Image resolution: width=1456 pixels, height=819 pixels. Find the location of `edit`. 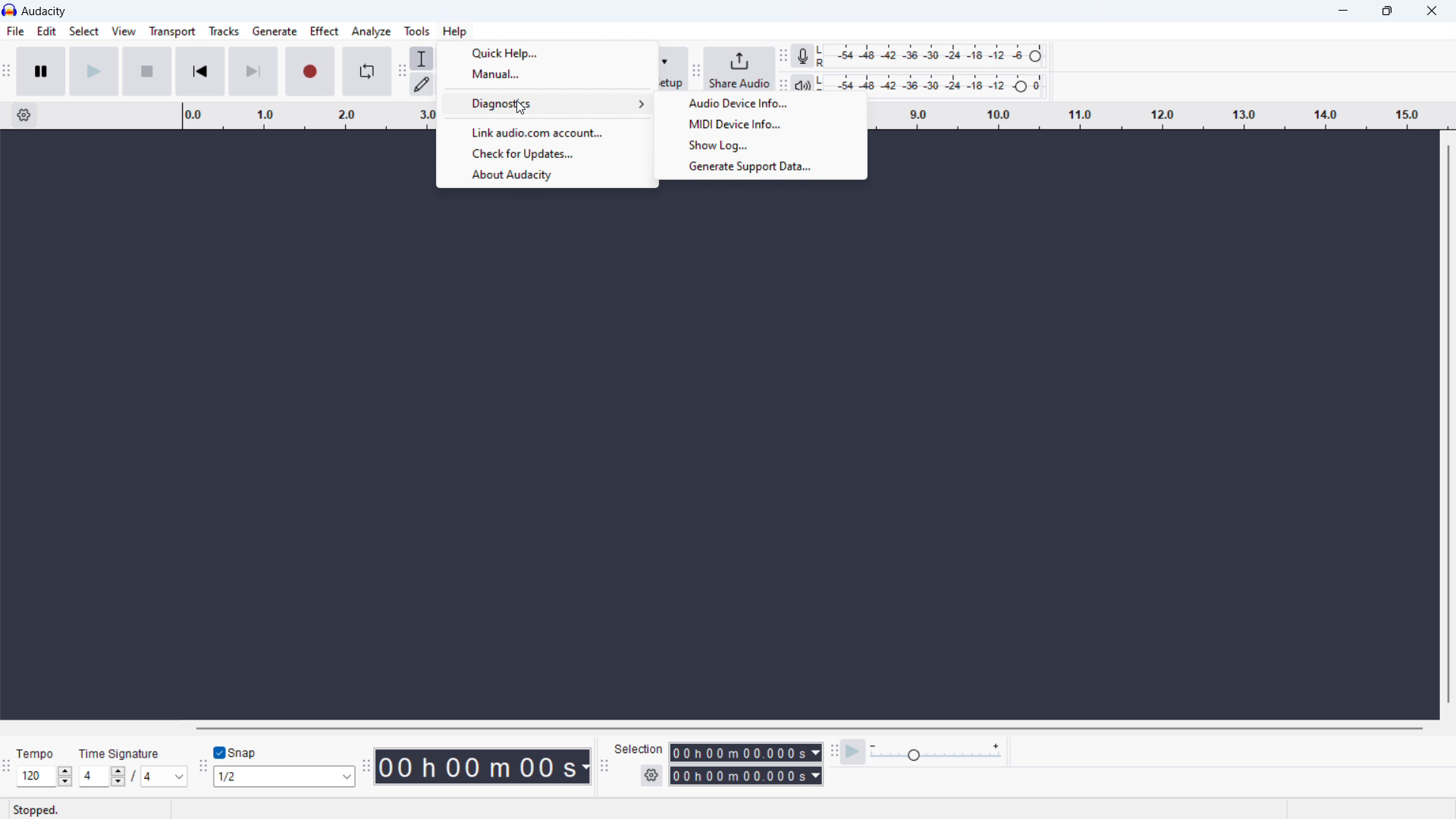

edit is located at coordinates (46, 31).